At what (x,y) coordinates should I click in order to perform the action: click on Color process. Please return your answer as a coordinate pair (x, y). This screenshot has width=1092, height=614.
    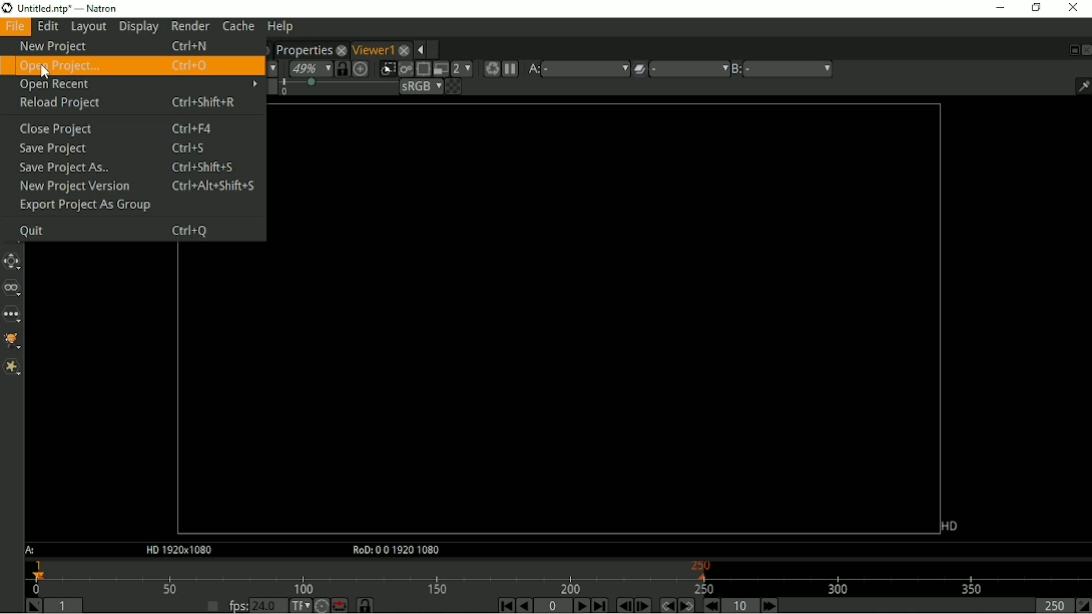
    Looking at the image, I should click on (420, 86).